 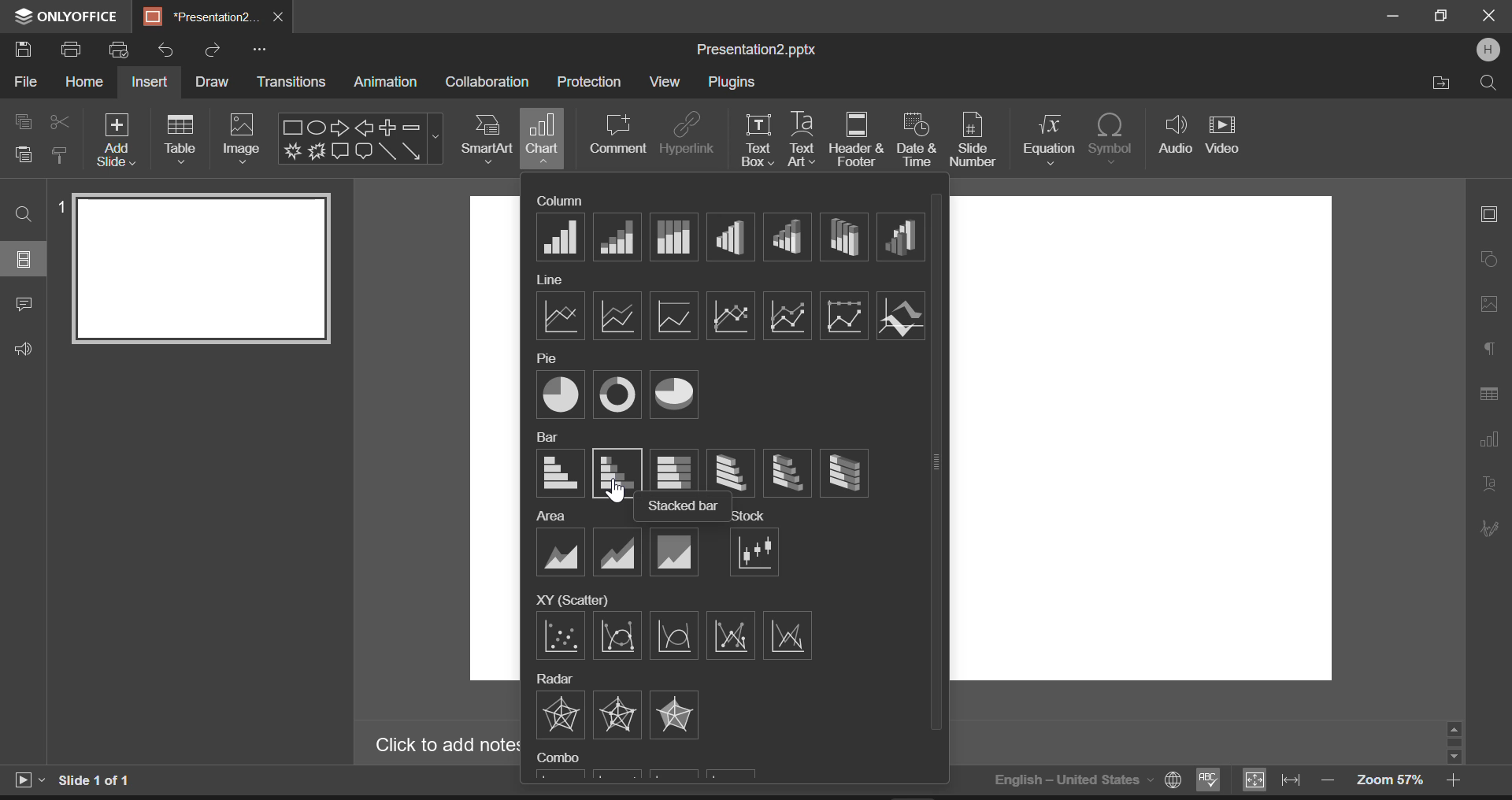 I want to click on Rectangle, so click(x=293, y=128).